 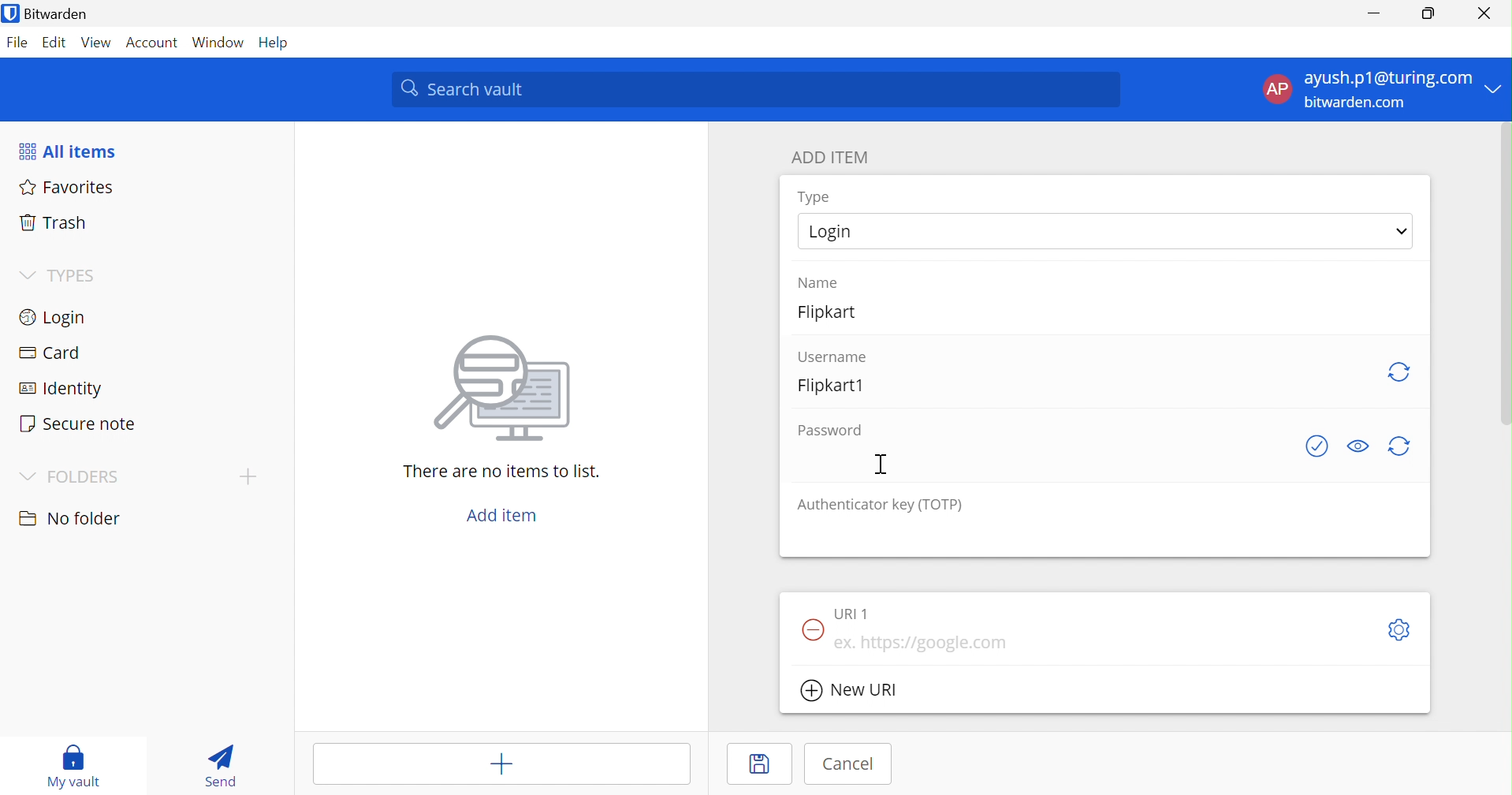 I want to click on Authenticator key (TOTP), so click(x=881, y=506).